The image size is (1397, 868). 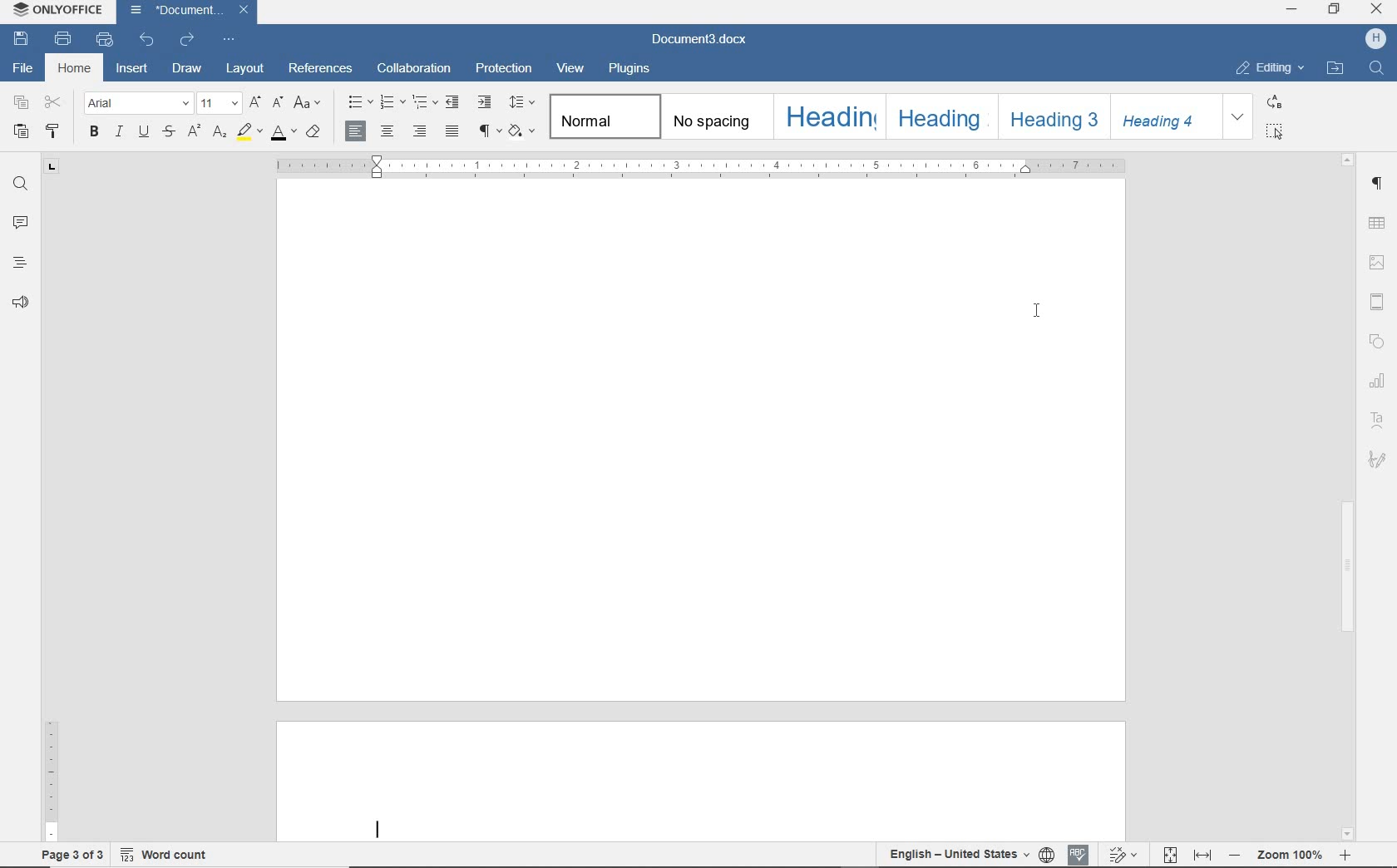 What do you see at coordinates (25, 70) in the screenshot?
I see `FILE` at bounding box center [25, 70].